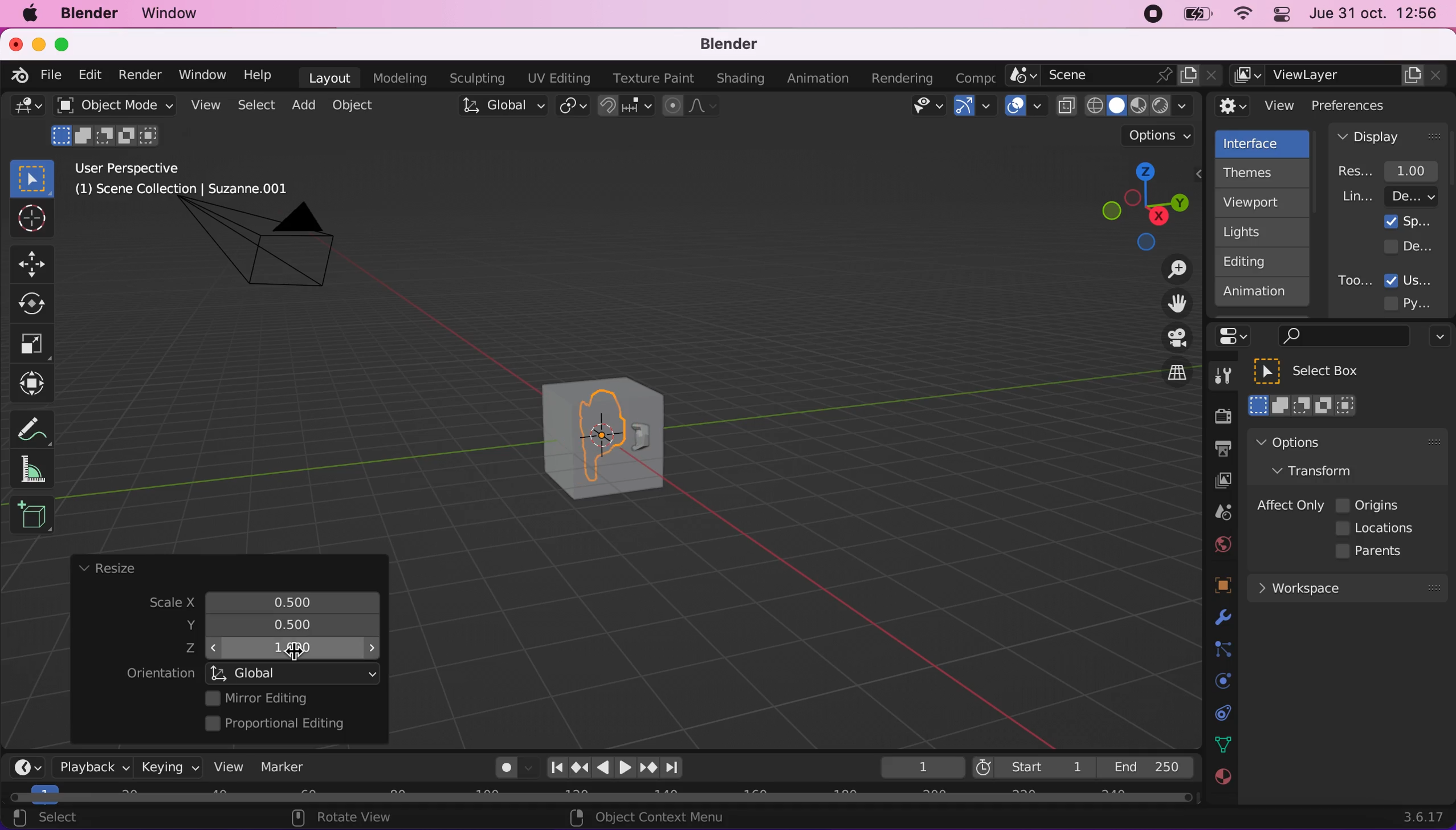 The width and height of the screenshot is (1456, 830). I want to click on window, so click(201, 75).